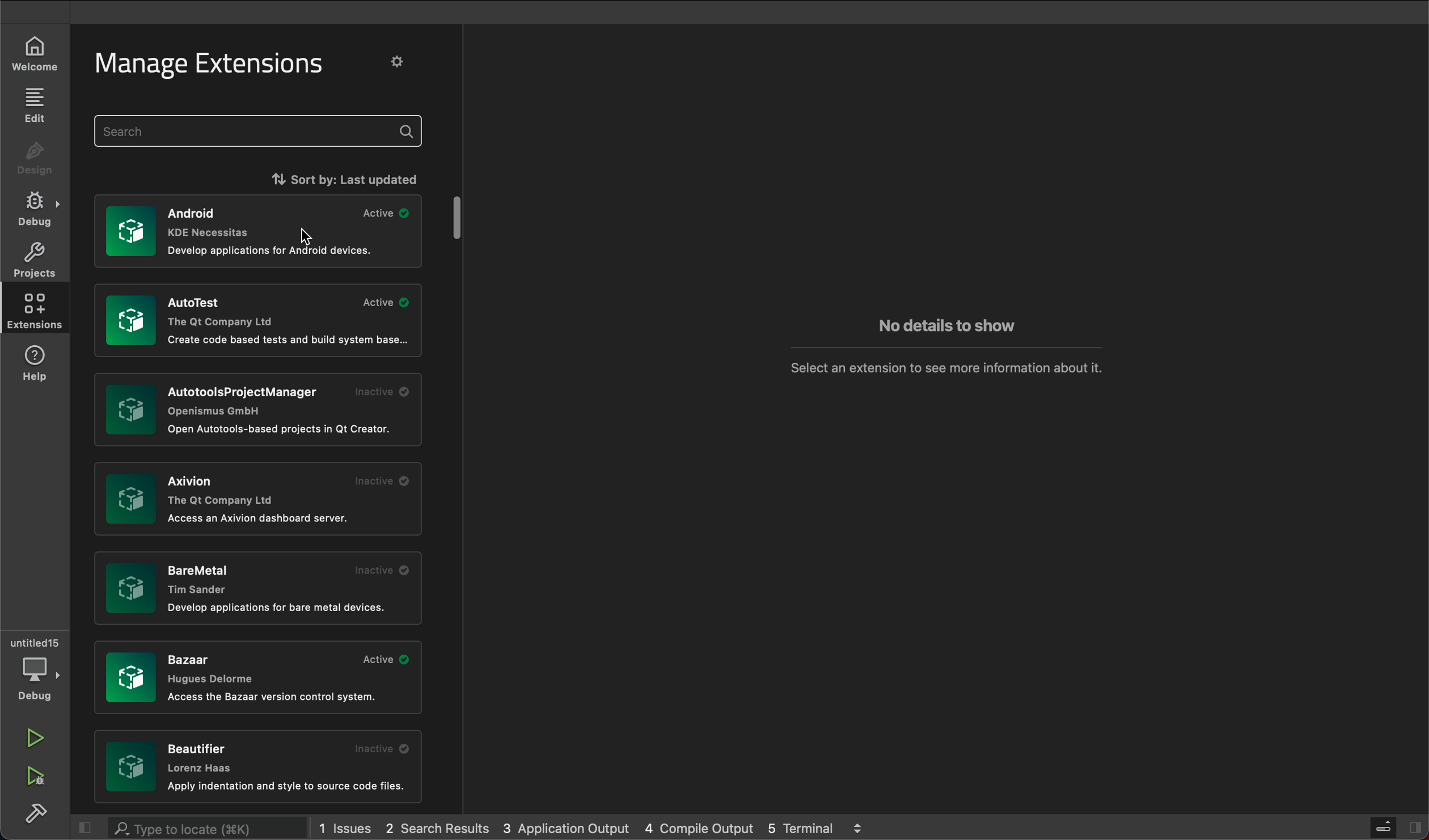 This screenshot has height=840, width=1429. What do you see at coordinates (36, 668) in the screenshot?
I see `debugger` at bounding box center [36, 668].